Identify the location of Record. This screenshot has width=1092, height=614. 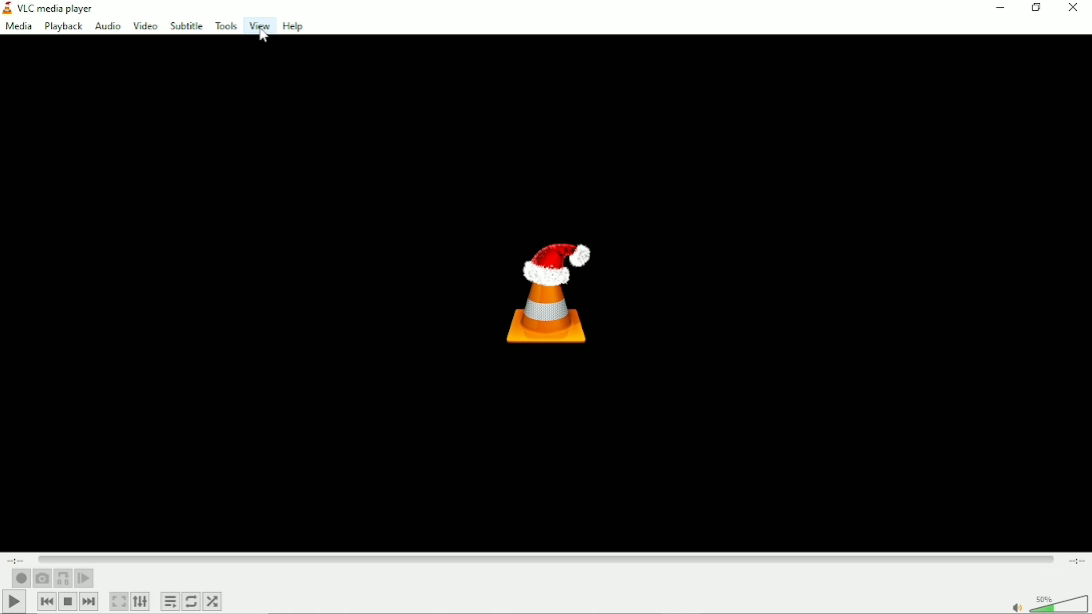
(19, 578).